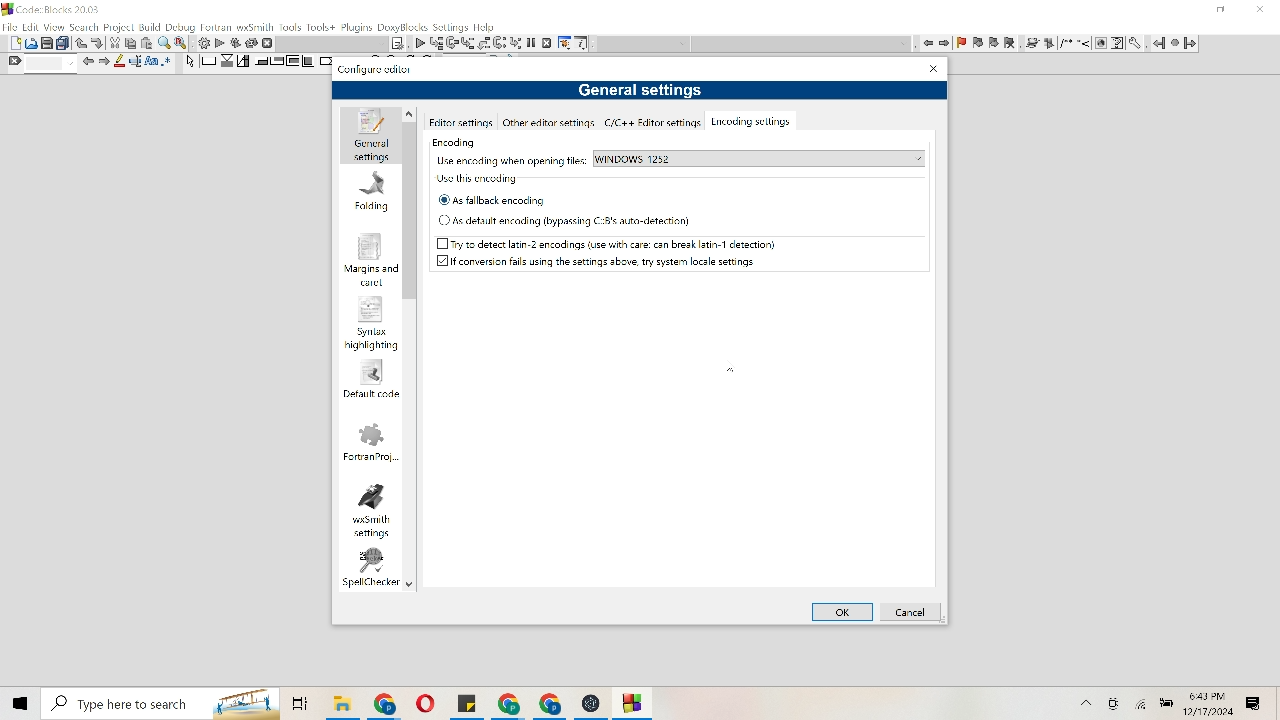  Describe the element at coordinates (1116, 703) in the screenshot. I see `Camera` at that location.